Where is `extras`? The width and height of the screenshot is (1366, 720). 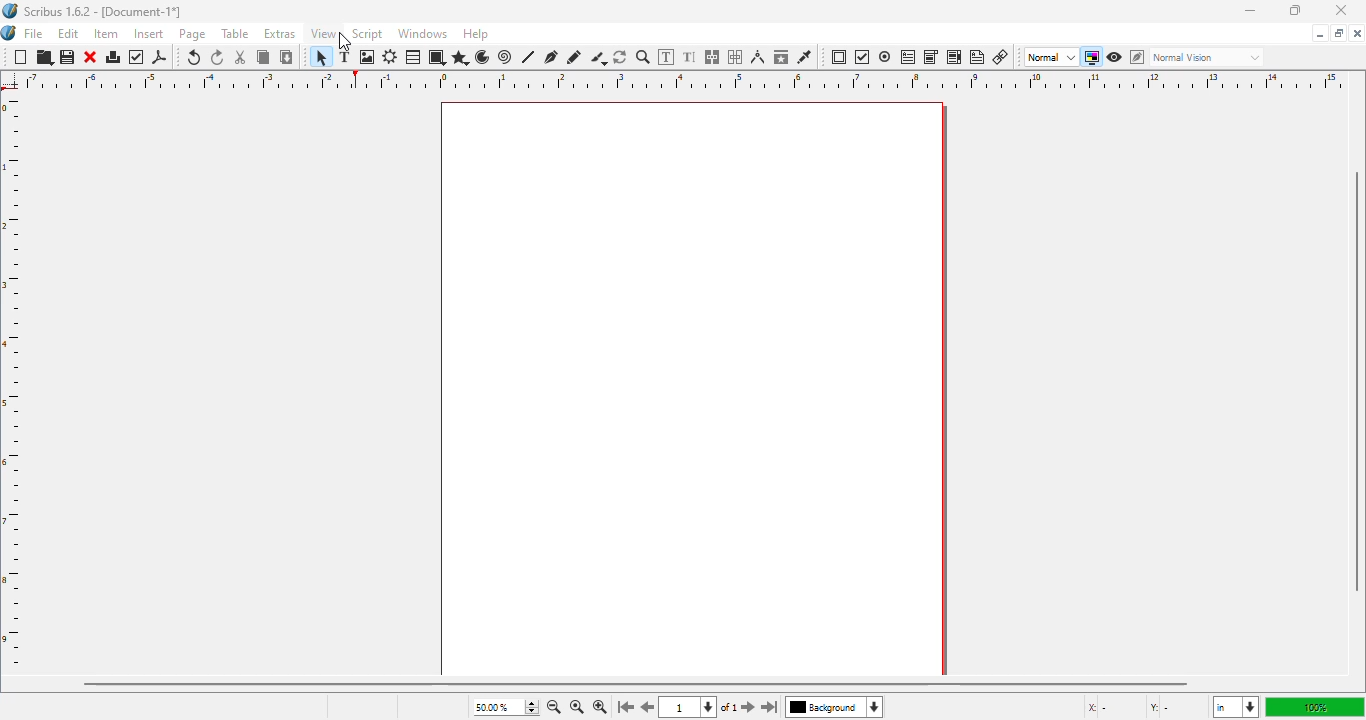
extras is located at coordinates (280, 33).